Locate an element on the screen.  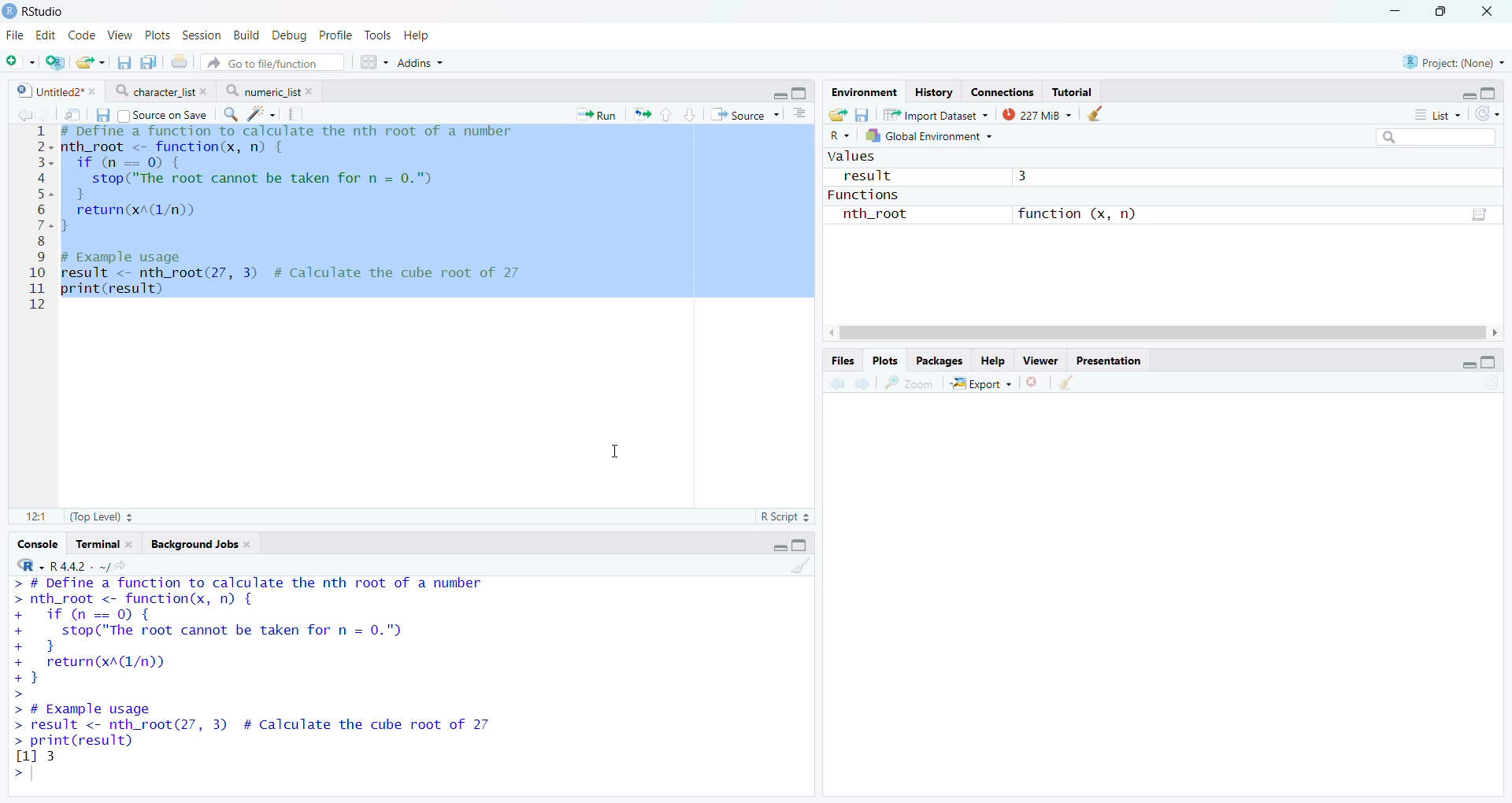
Workspace panes is located at coordinates (372, 63).